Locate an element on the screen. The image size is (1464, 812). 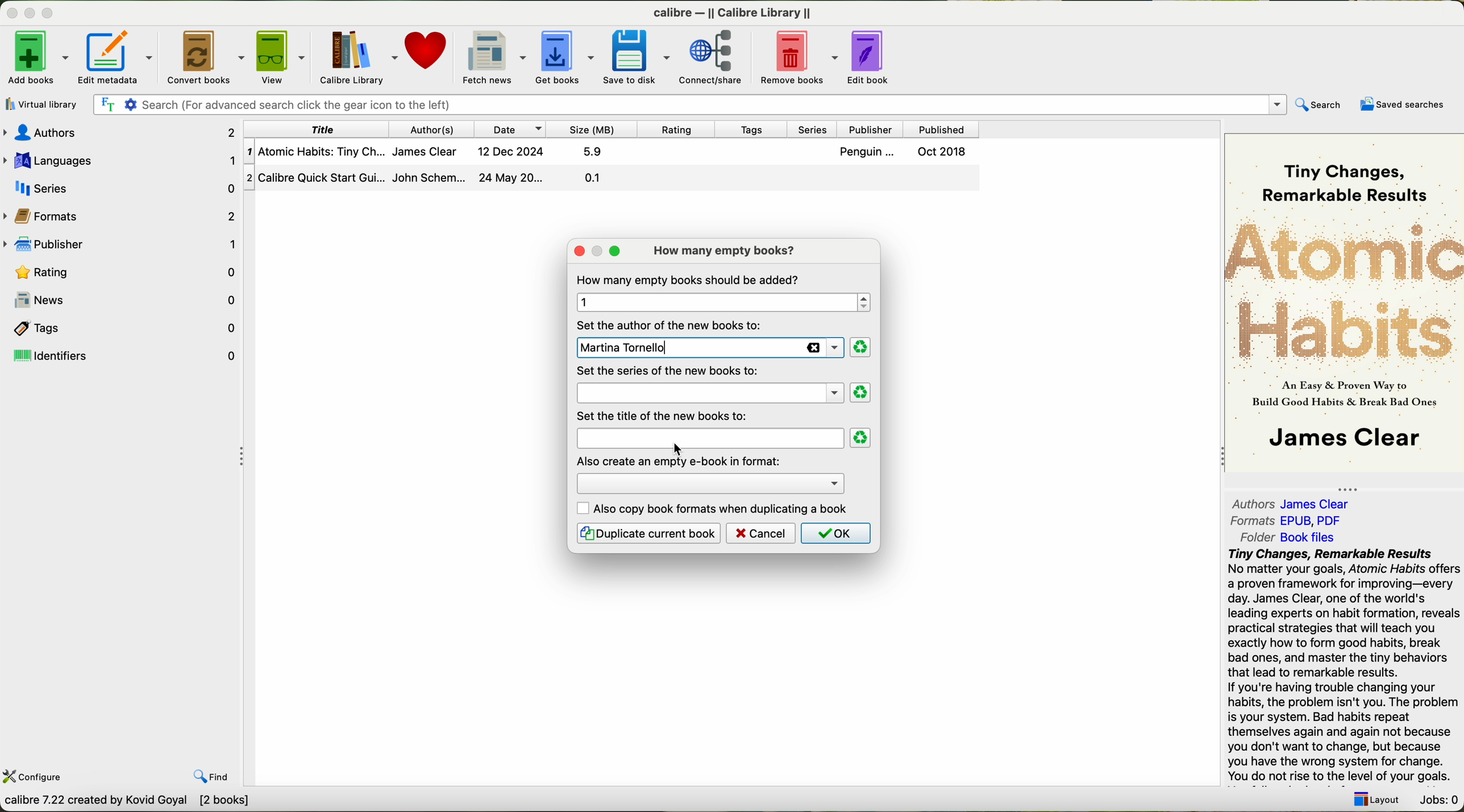
rating is located at coordinates (121, 272).